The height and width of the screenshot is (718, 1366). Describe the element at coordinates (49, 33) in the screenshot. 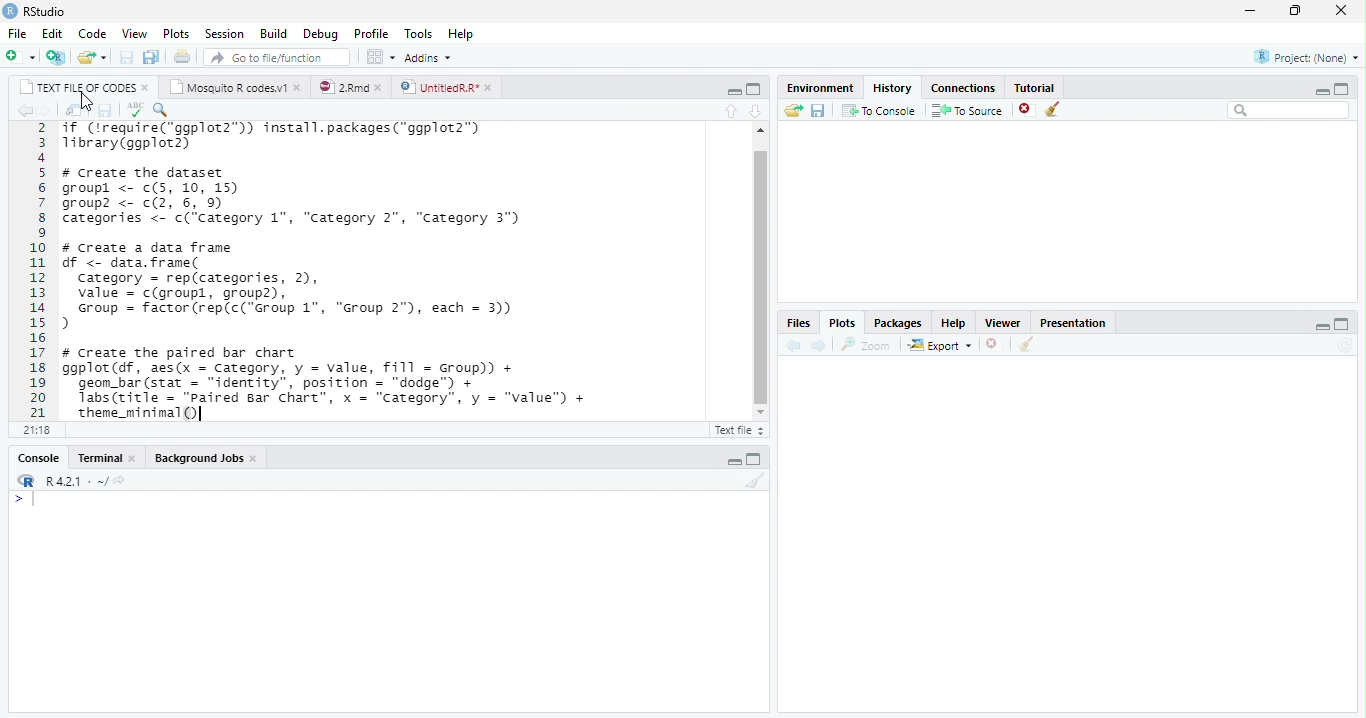

I see `edit` at that location.